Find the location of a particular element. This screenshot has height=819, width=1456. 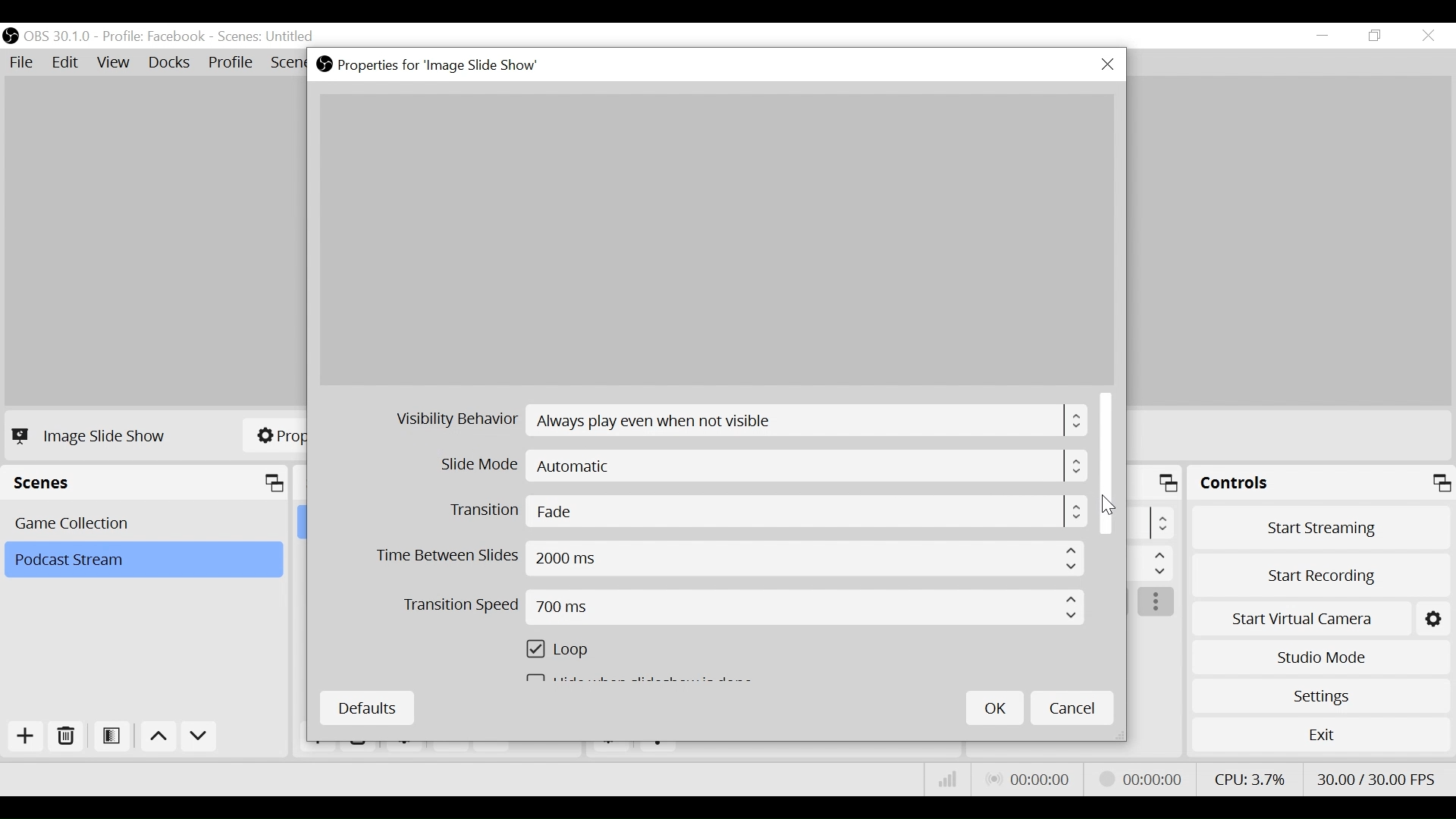

File is located at coordinates (24, 63).